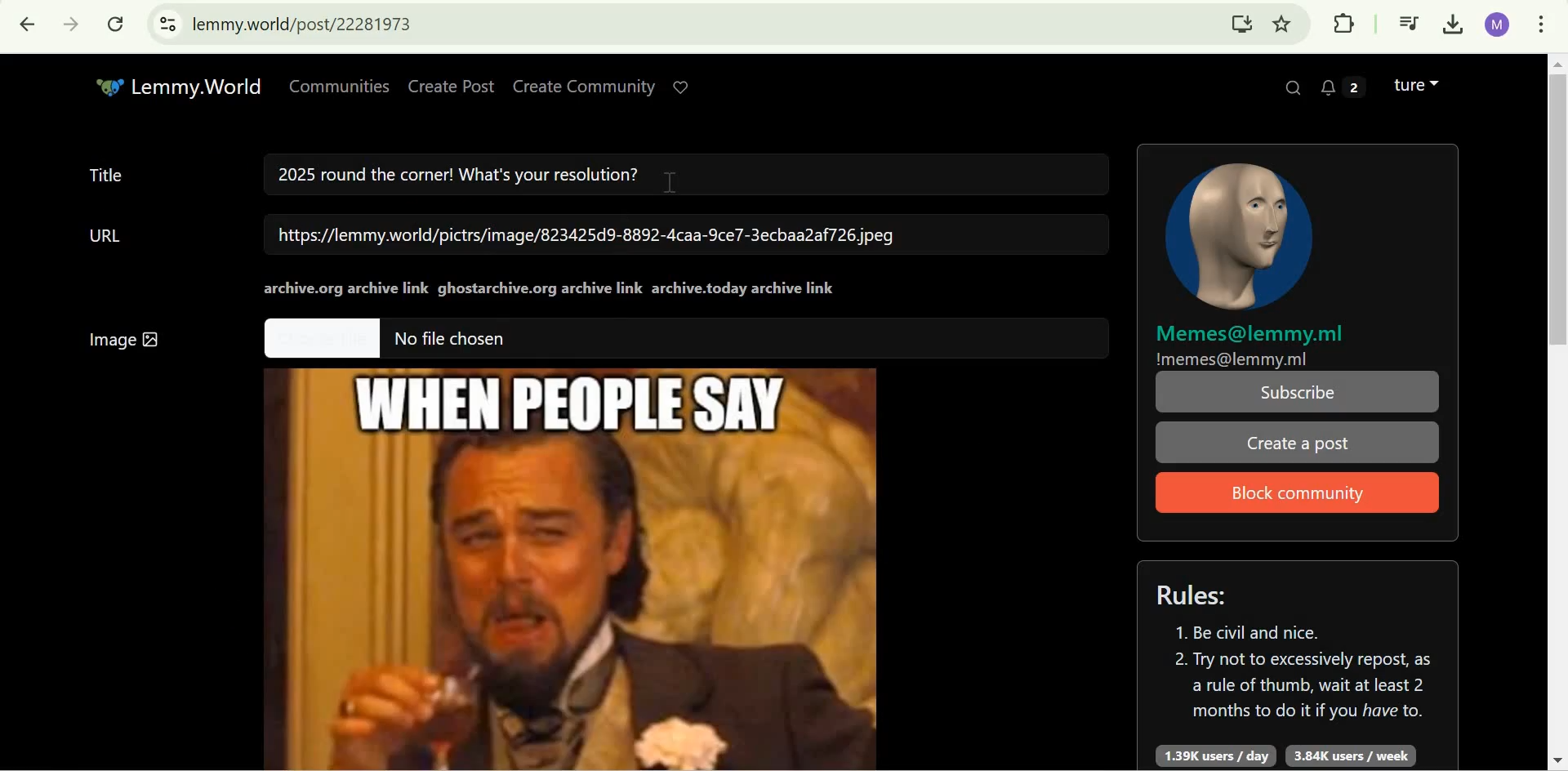 This screenshot has width=1568, height=771. What do you see at coordinates (1455, 25) in the screenshot?
I see `Downloads` at bounding box center [1455, 25].